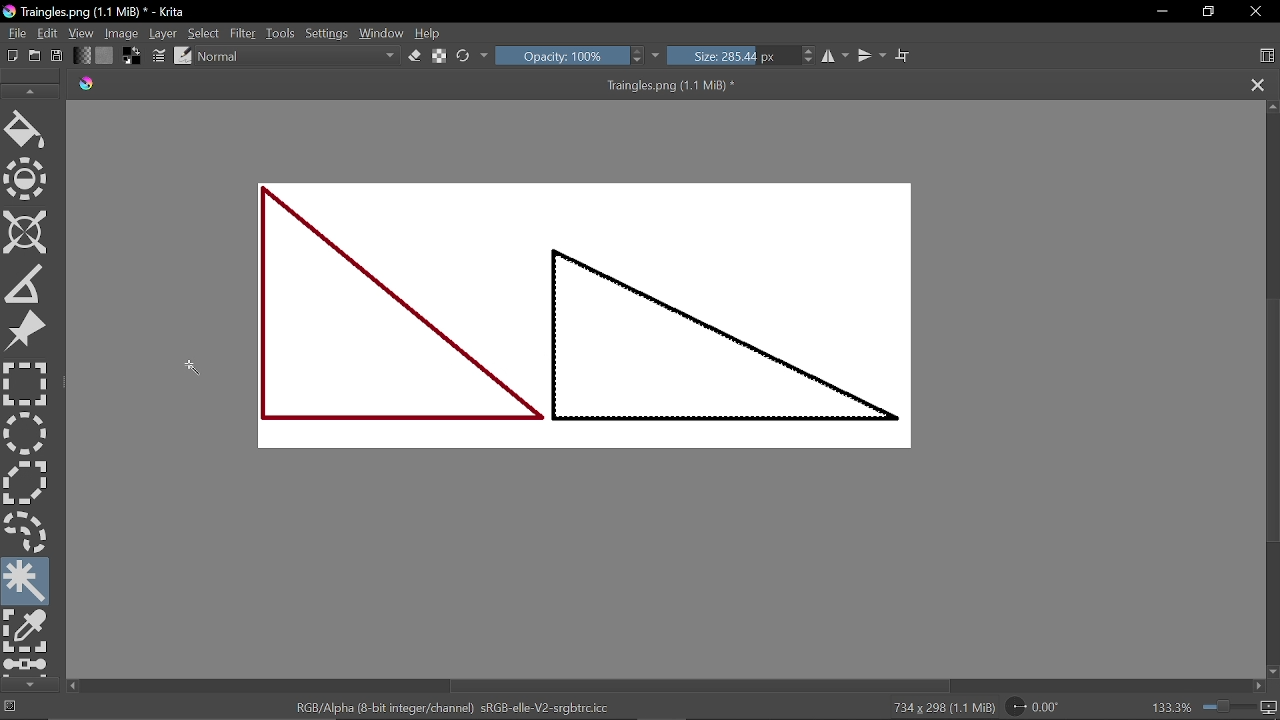 The height and width of the screenshot is (720, 1280). What do you see at coordinates (28, 90) in the screenshot?
I see `scroll up` at bounding box center [28, 90].